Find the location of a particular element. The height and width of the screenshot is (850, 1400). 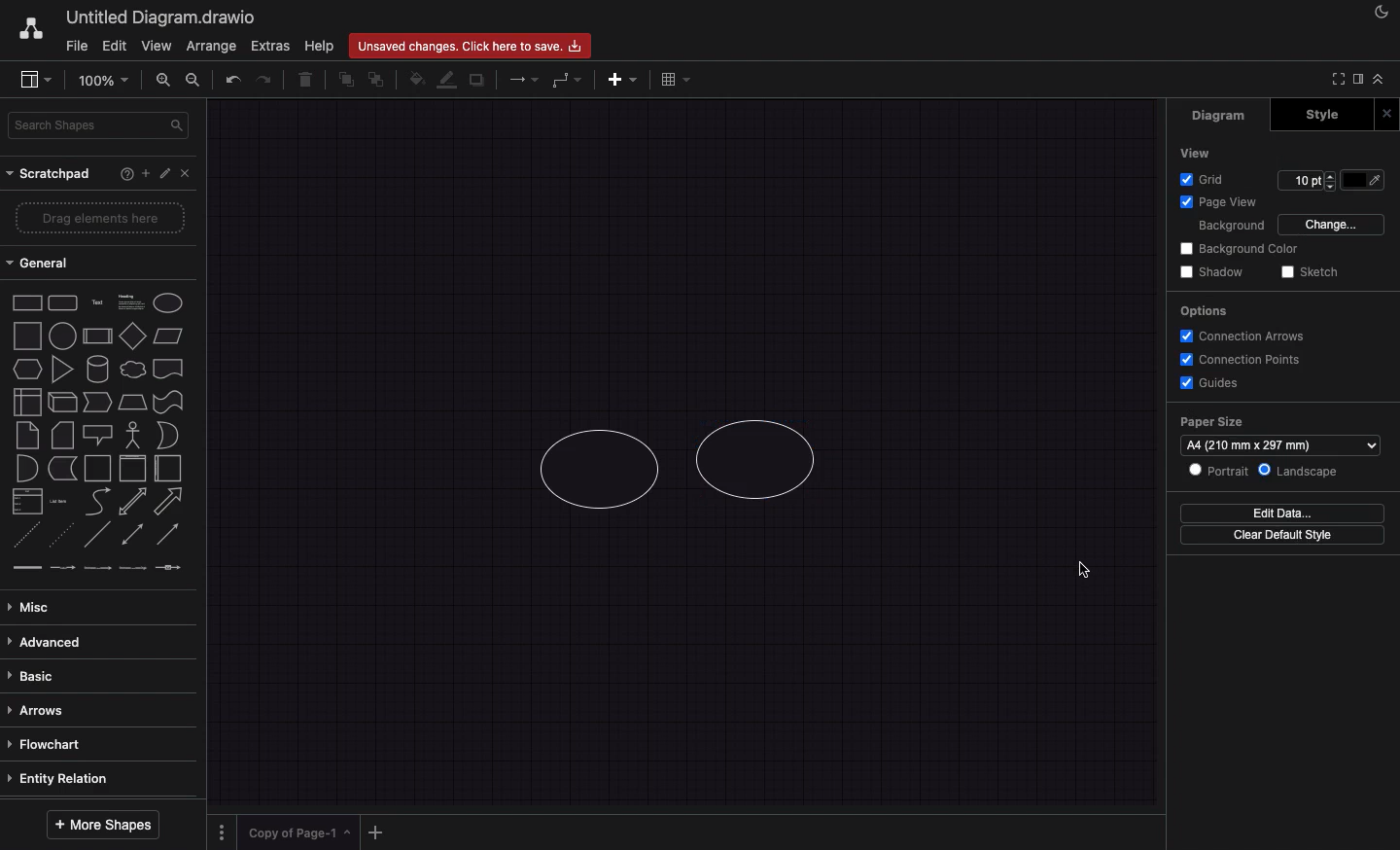

actor is located at coordinates (132, 435).